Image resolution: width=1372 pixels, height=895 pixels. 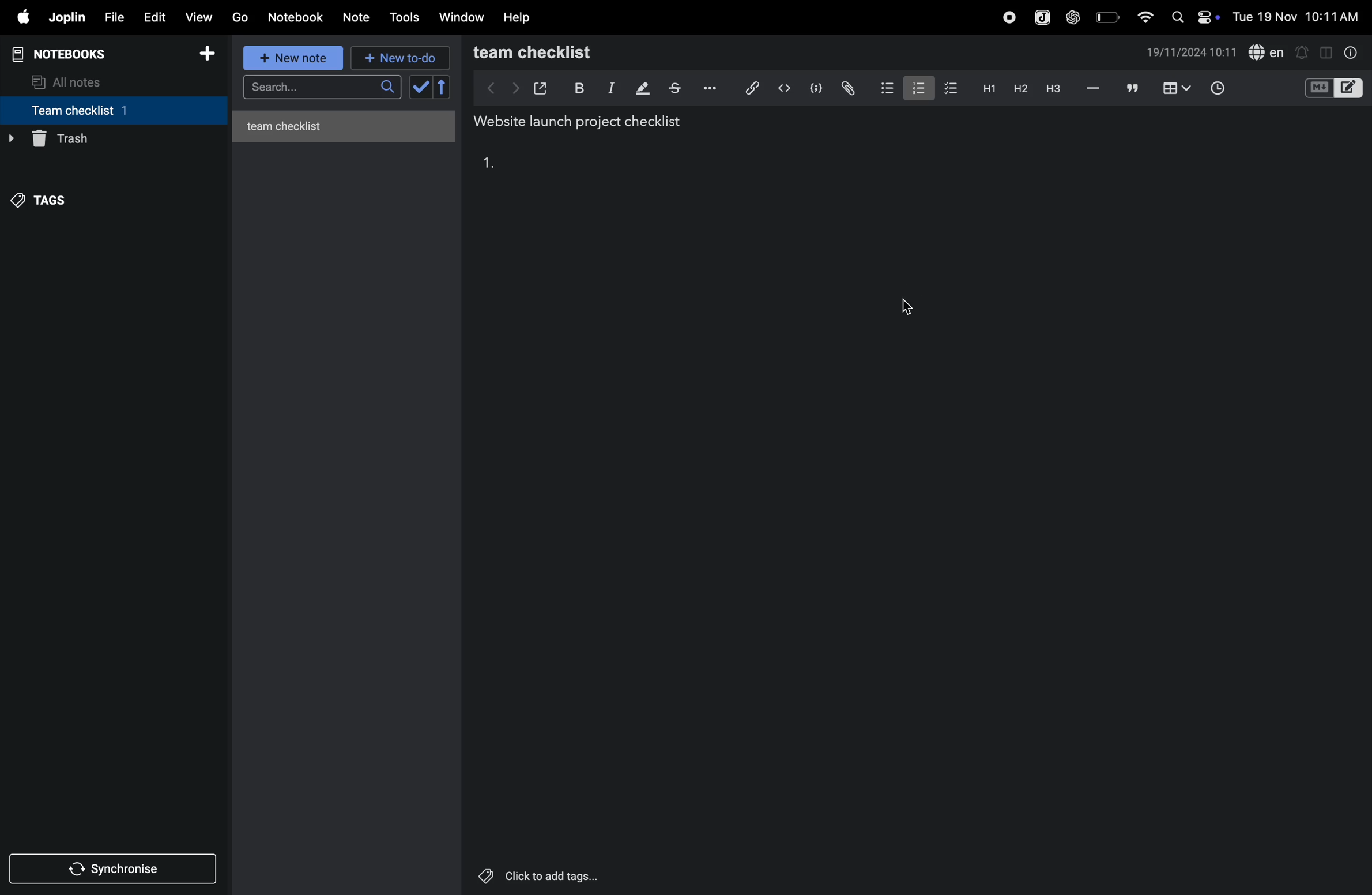 What do you see at coordinates (154, 16) in the screenshot?
I see `edit` at bounding box center [154, 16].